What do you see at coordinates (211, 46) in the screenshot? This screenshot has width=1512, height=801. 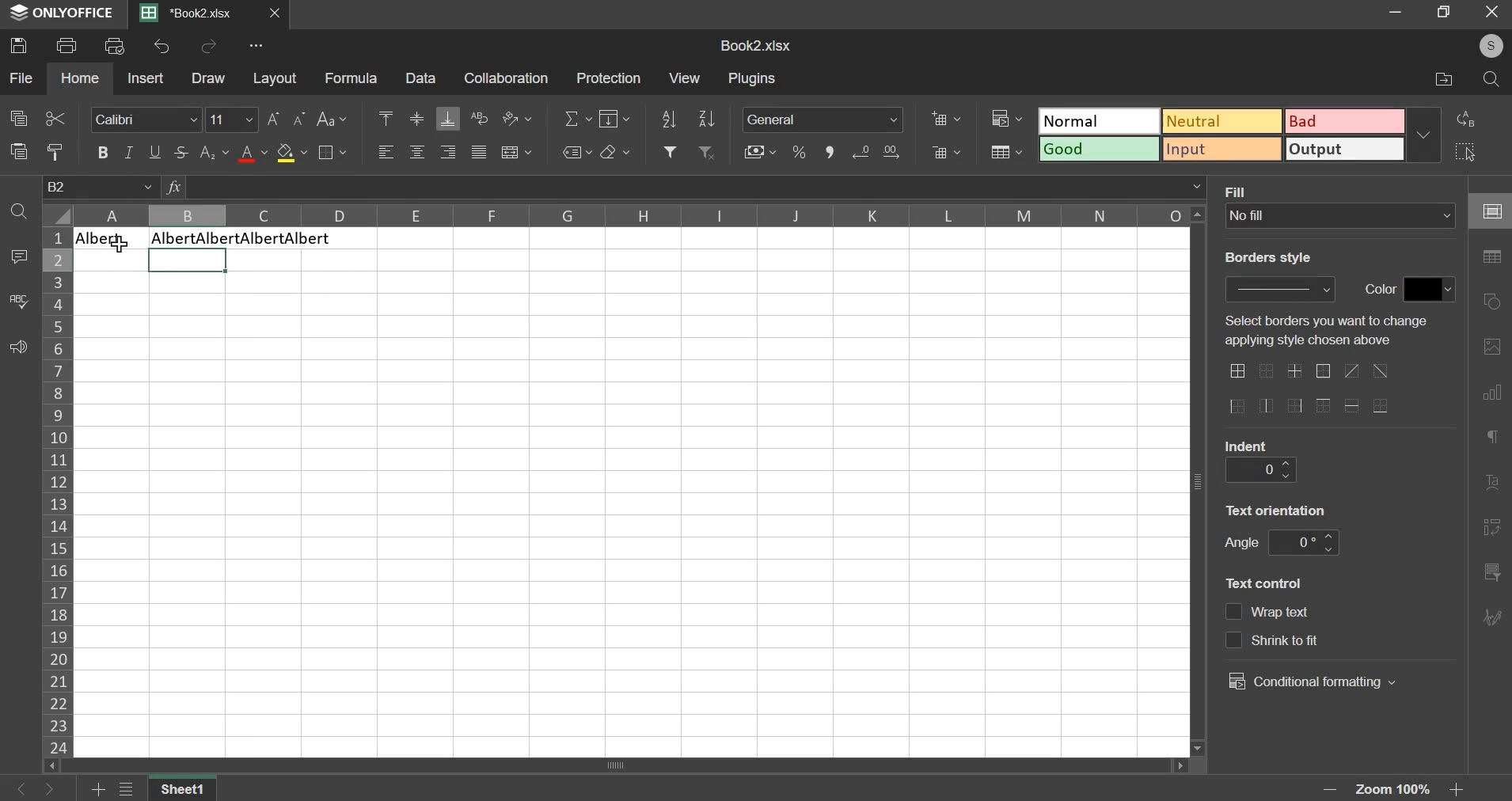 I see `redo` at bounding box center [211, 46].